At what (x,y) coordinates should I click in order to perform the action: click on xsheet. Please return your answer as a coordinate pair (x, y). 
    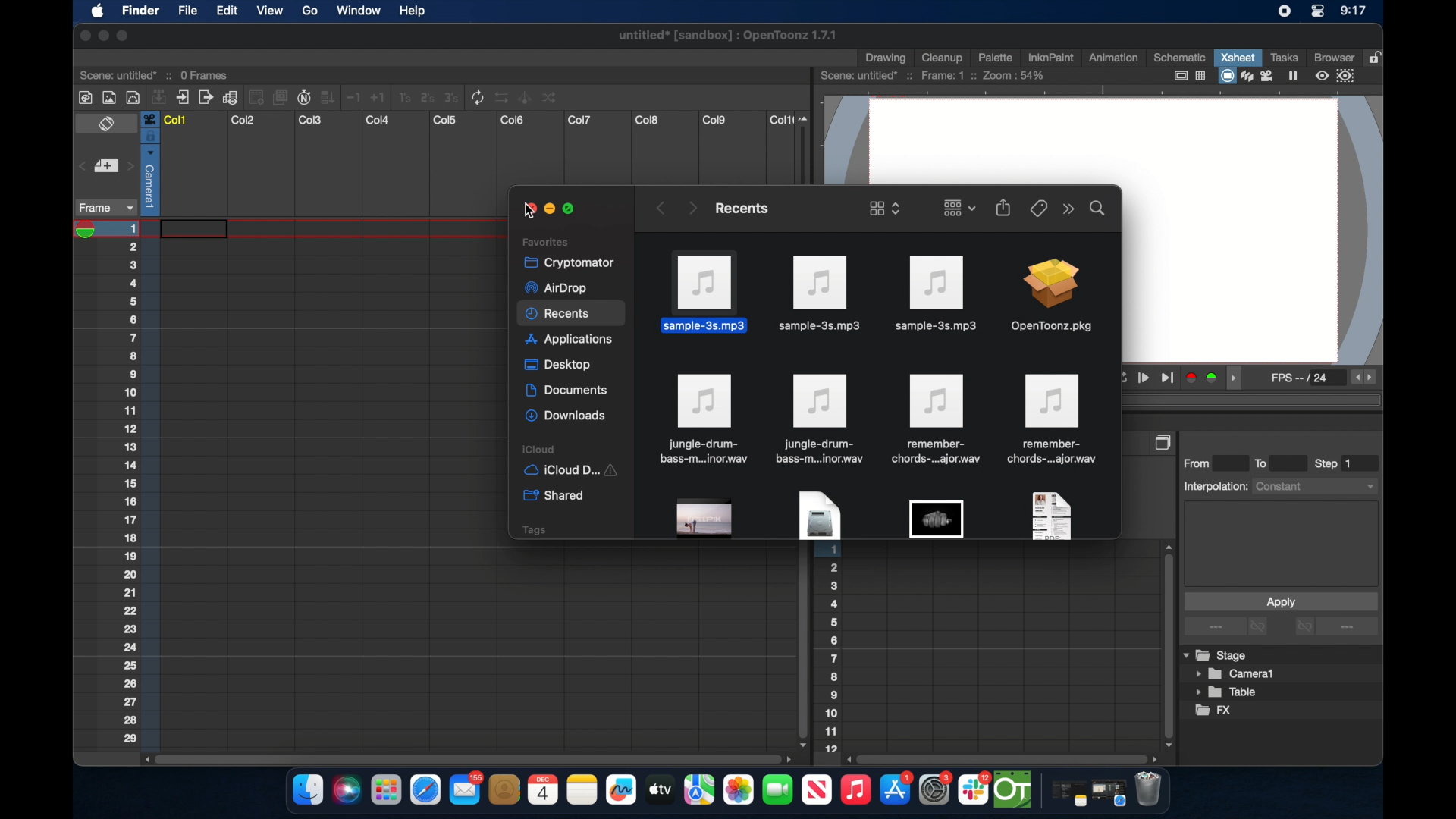
    Looking at the image, I should click on (1238, 57).